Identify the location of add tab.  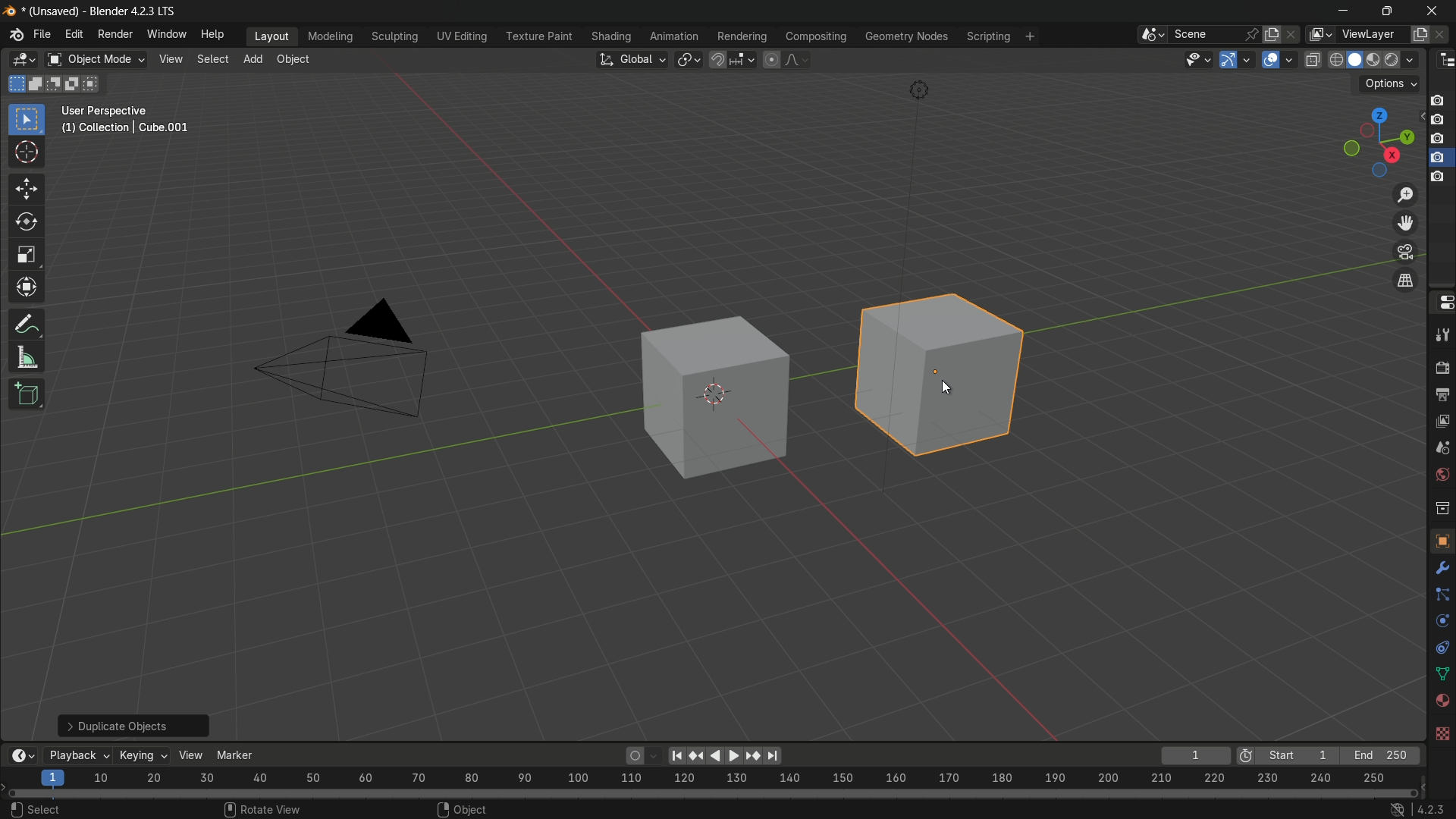
(256, 61).